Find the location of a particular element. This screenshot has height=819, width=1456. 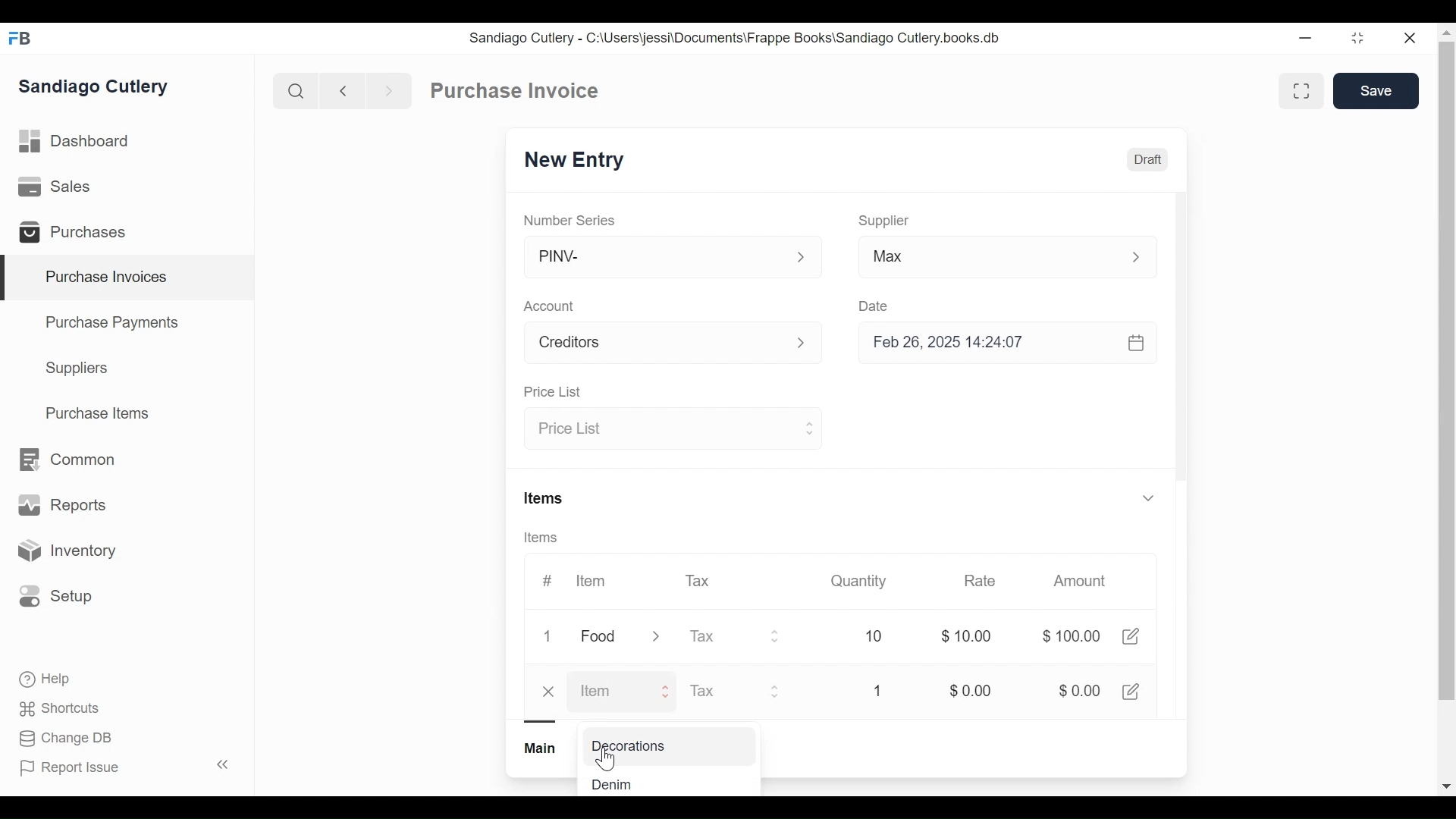

Decorations is located at coordinates (657, 745).